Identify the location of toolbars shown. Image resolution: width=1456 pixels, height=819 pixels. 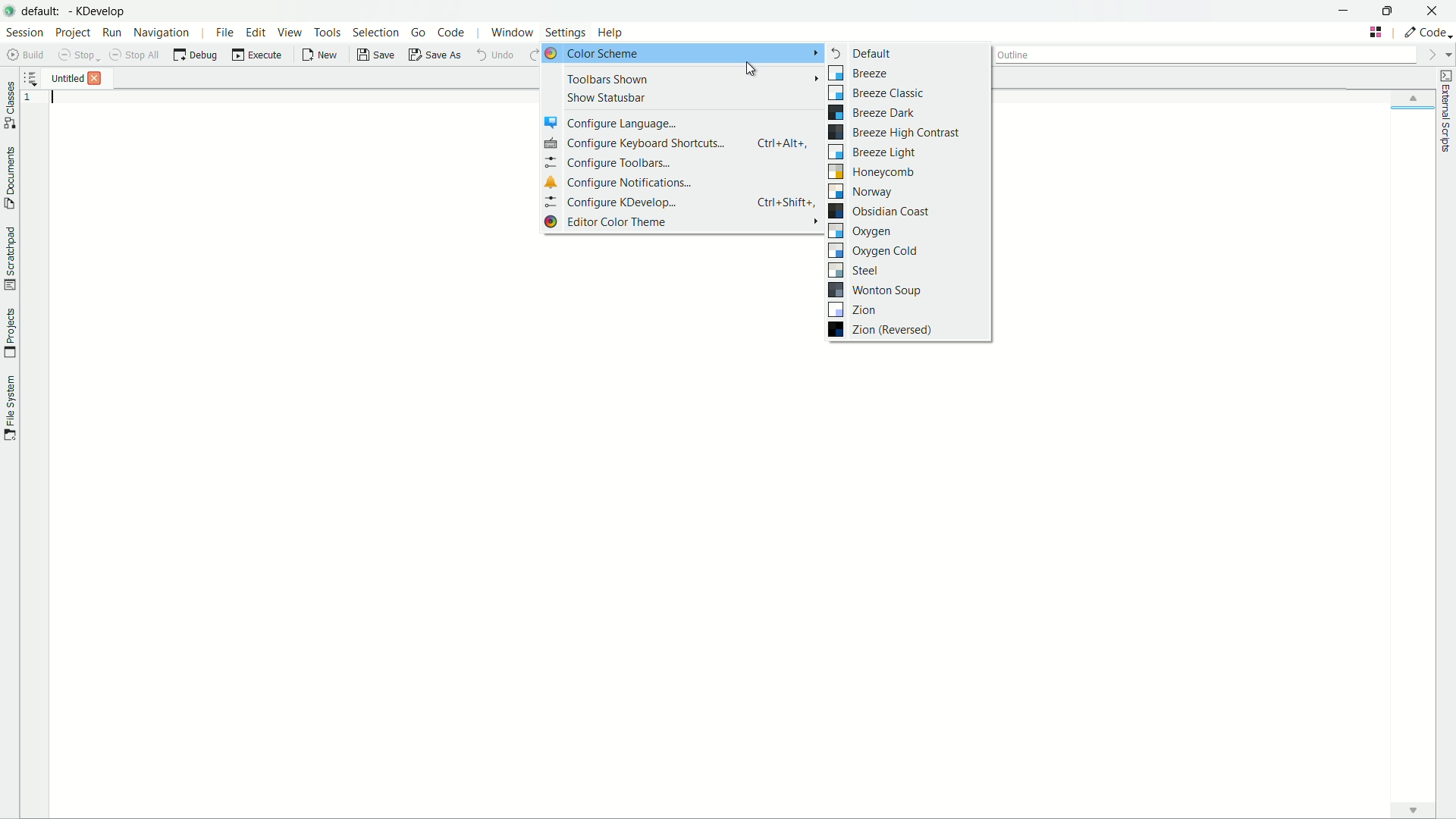
(606, 78).